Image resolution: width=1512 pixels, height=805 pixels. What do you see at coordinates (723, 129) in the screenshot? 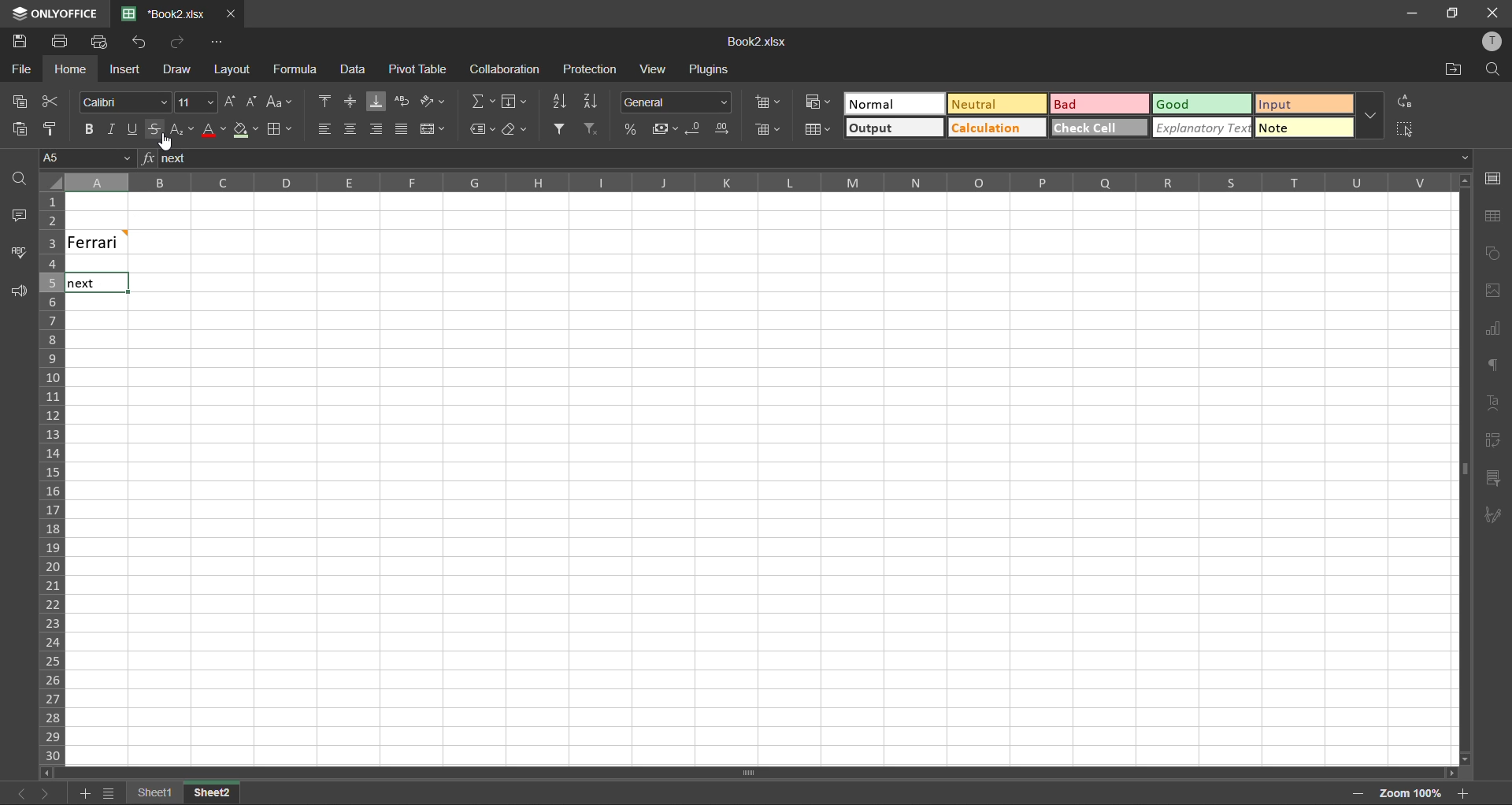
I see `increase decimal` at bounding box center [723, 129].